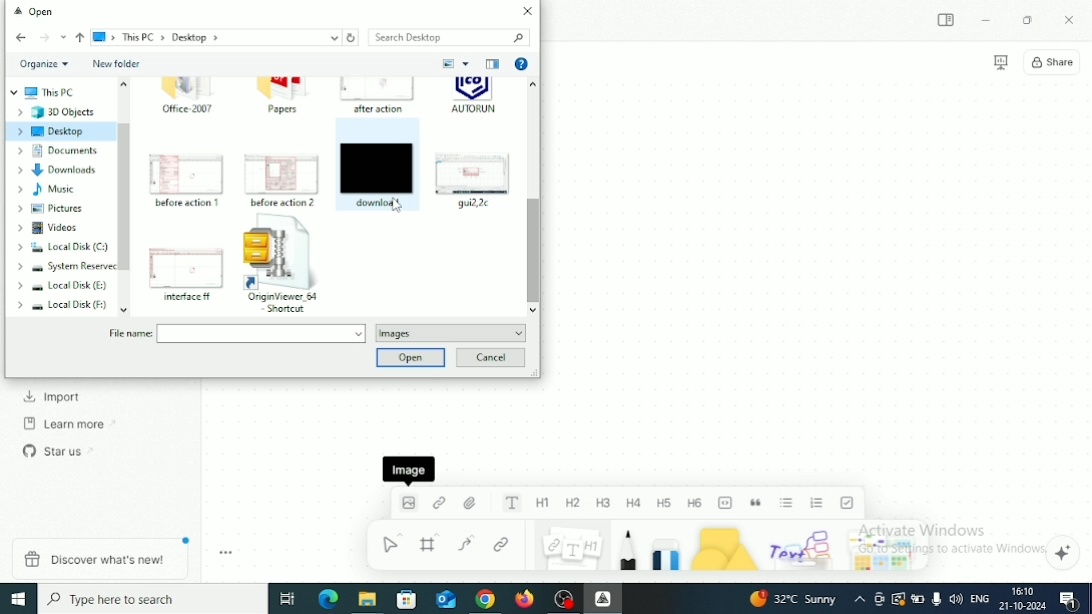 This screenshot has width=1092, height=614. Describe the element at coordinates (51, 190) in the screenshot. I see `Music` at that location.